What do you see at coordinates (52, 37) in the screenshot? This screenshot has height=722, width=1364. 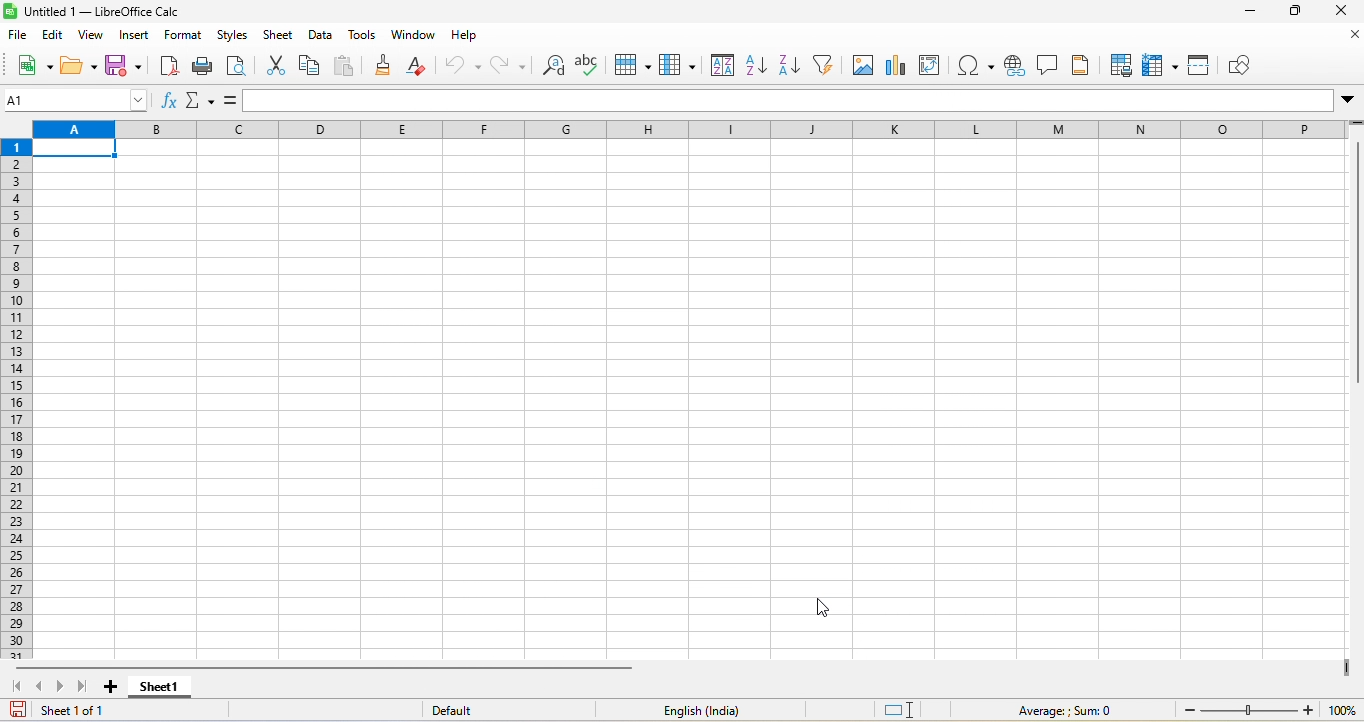 I see `edit` at bounding box center [52, 37].